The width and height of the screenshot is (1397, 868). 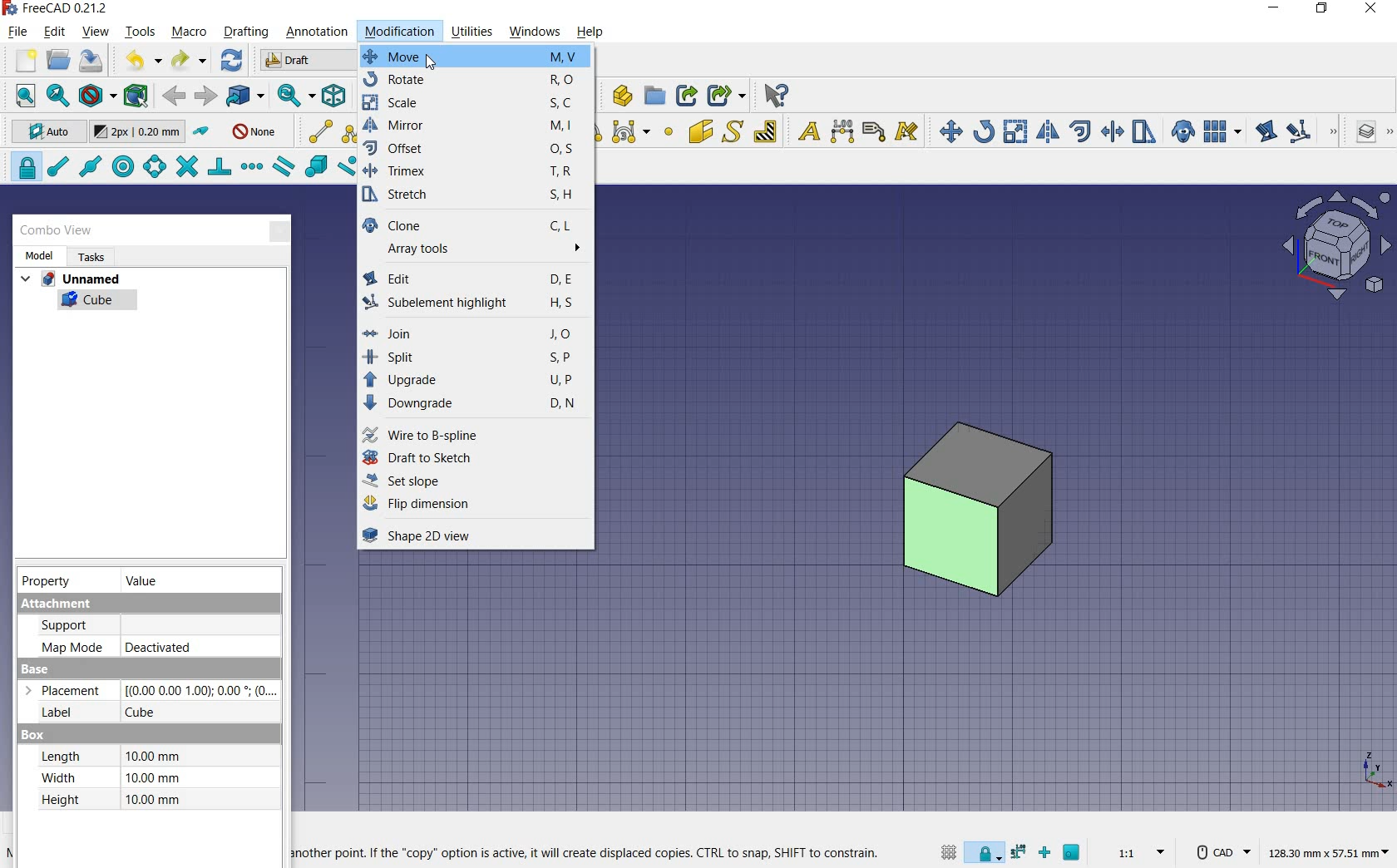 I want to click on draw style, so click(x=95, y=95).